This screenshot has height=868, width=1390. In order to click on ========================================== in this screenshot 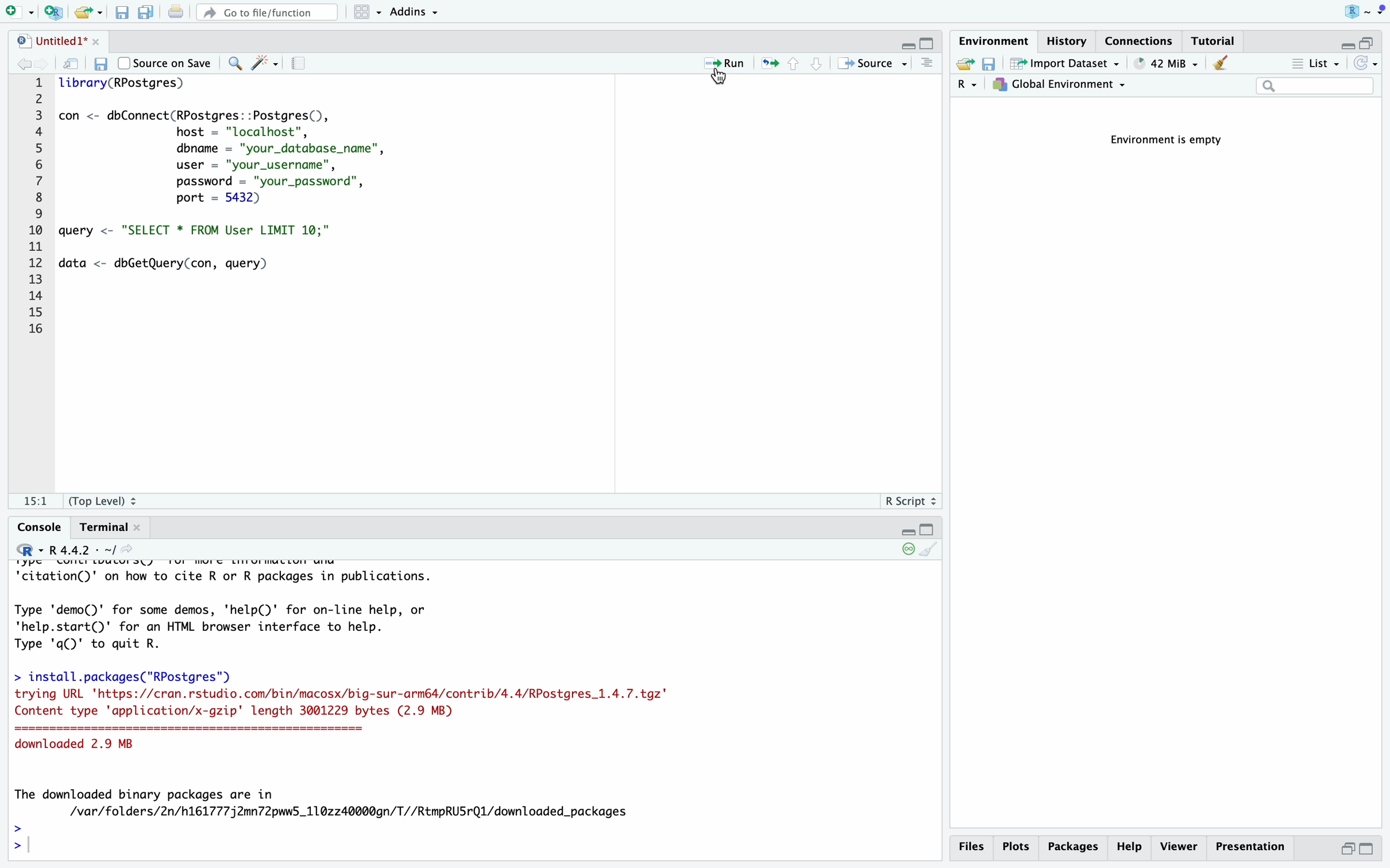, I will do `click(190, 728)`.